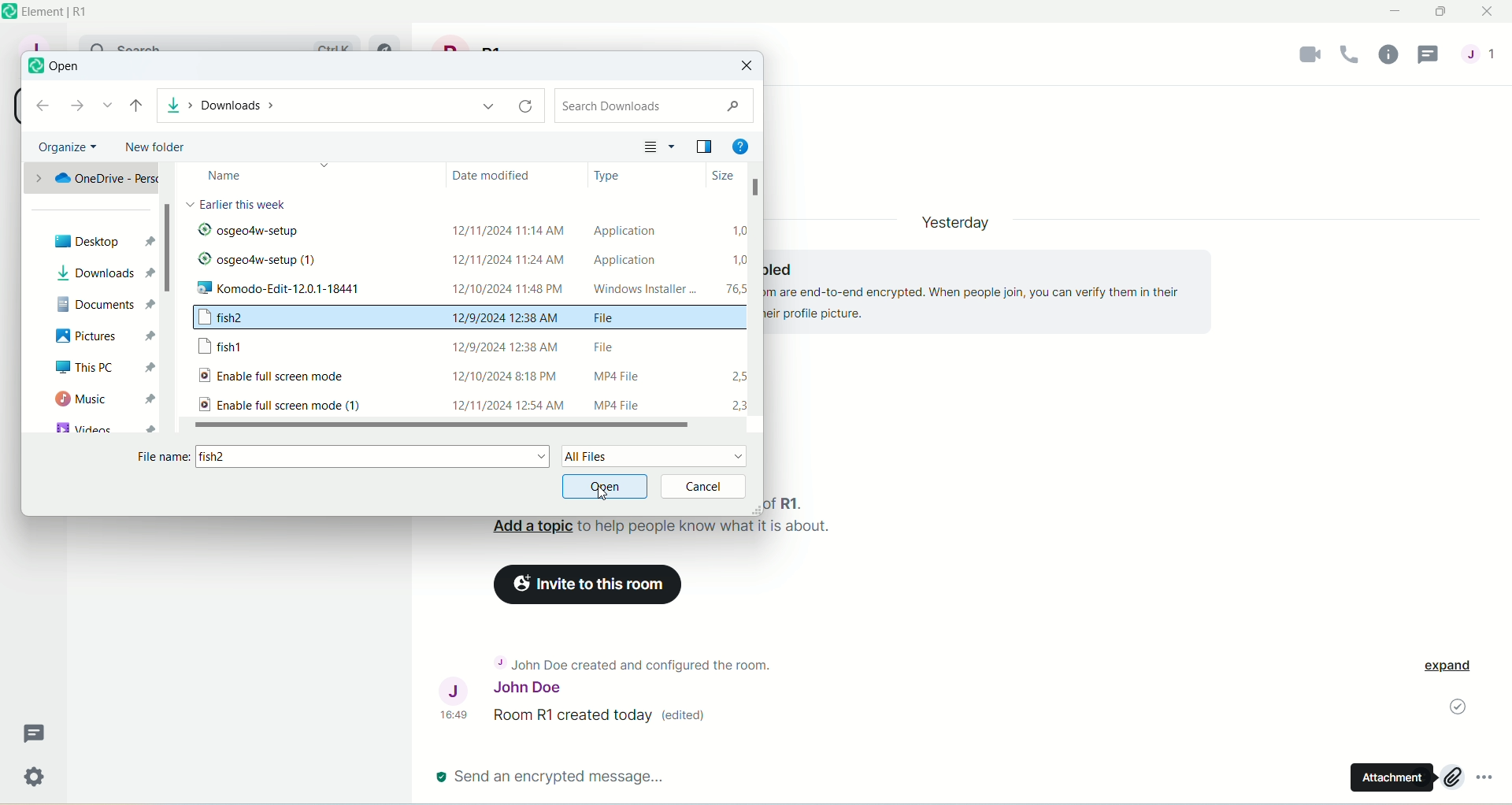 The width and height of the screenshot is (1512, 805). Describe the element at coordinates (91, 179) in the screenshot. I see `onedrive` at that location.